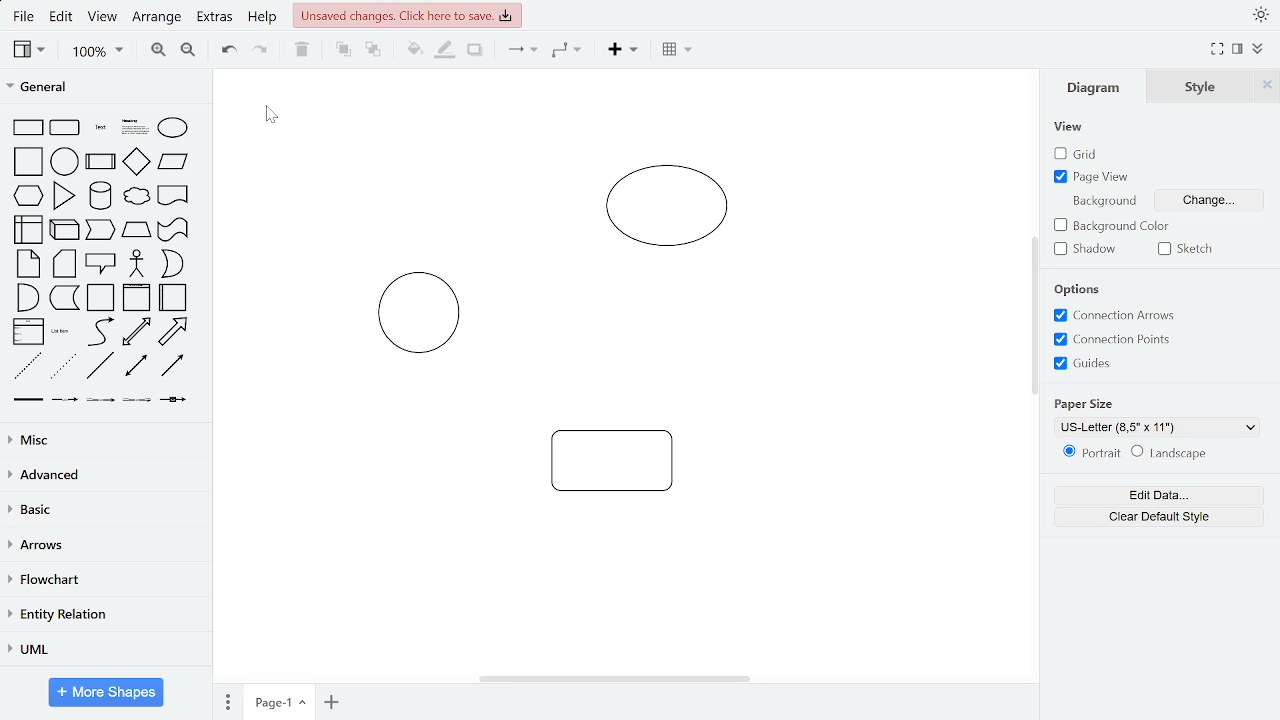  I want to click on process, so click(101, 161).